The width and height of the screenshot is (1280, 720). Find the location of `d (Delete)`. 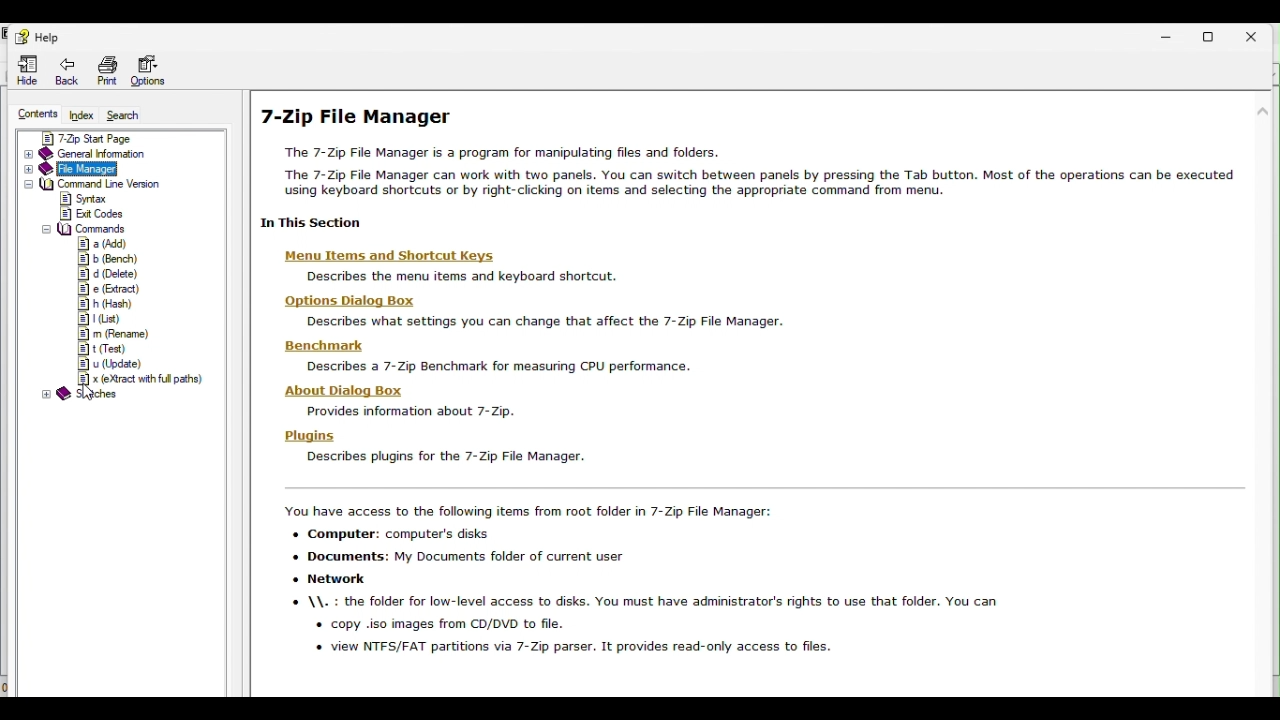

d (Delete) is located at coordinates (108, 274).